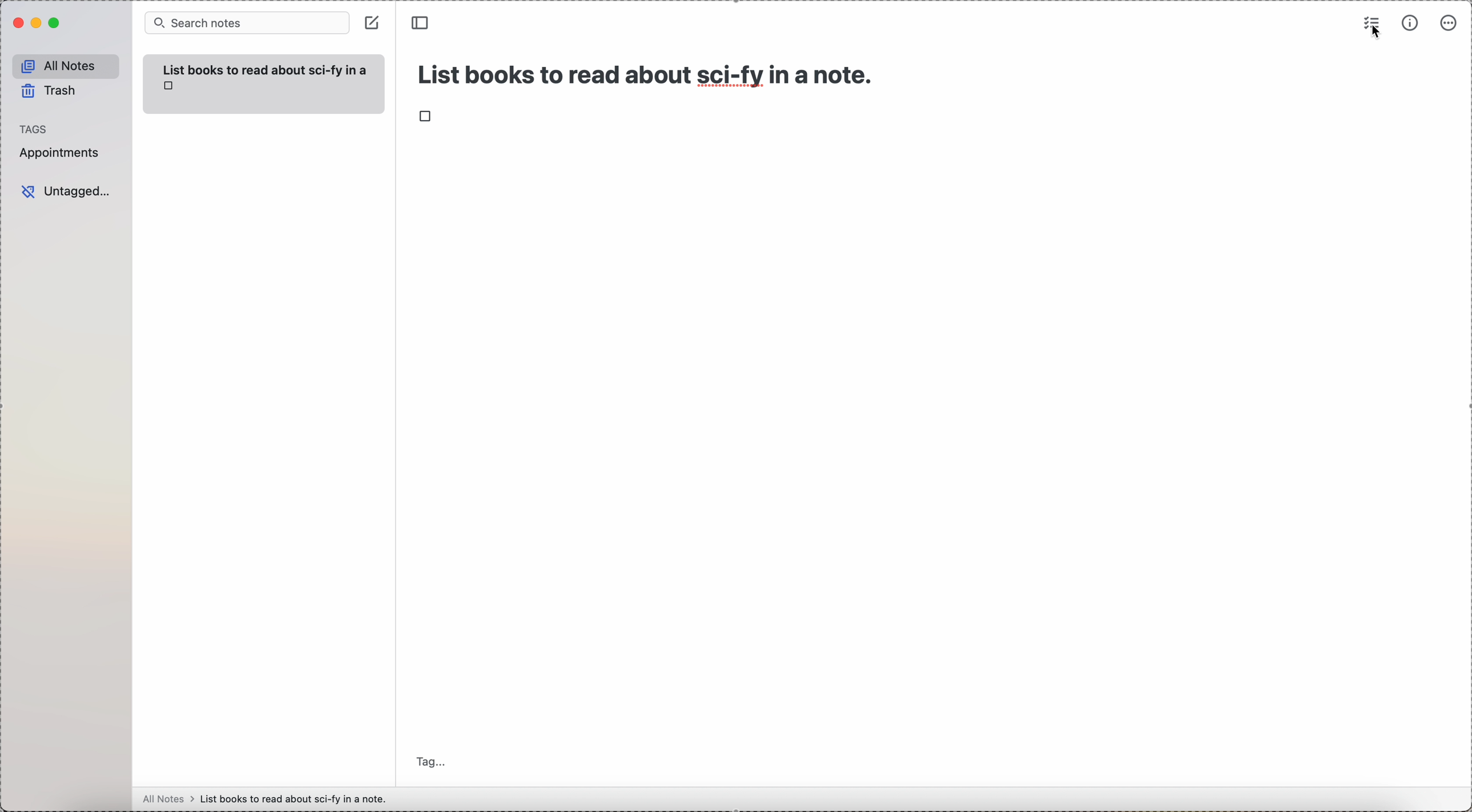  Describe the element at coordinates (431, 754) in the screenshot. I see `tag...` at that location.